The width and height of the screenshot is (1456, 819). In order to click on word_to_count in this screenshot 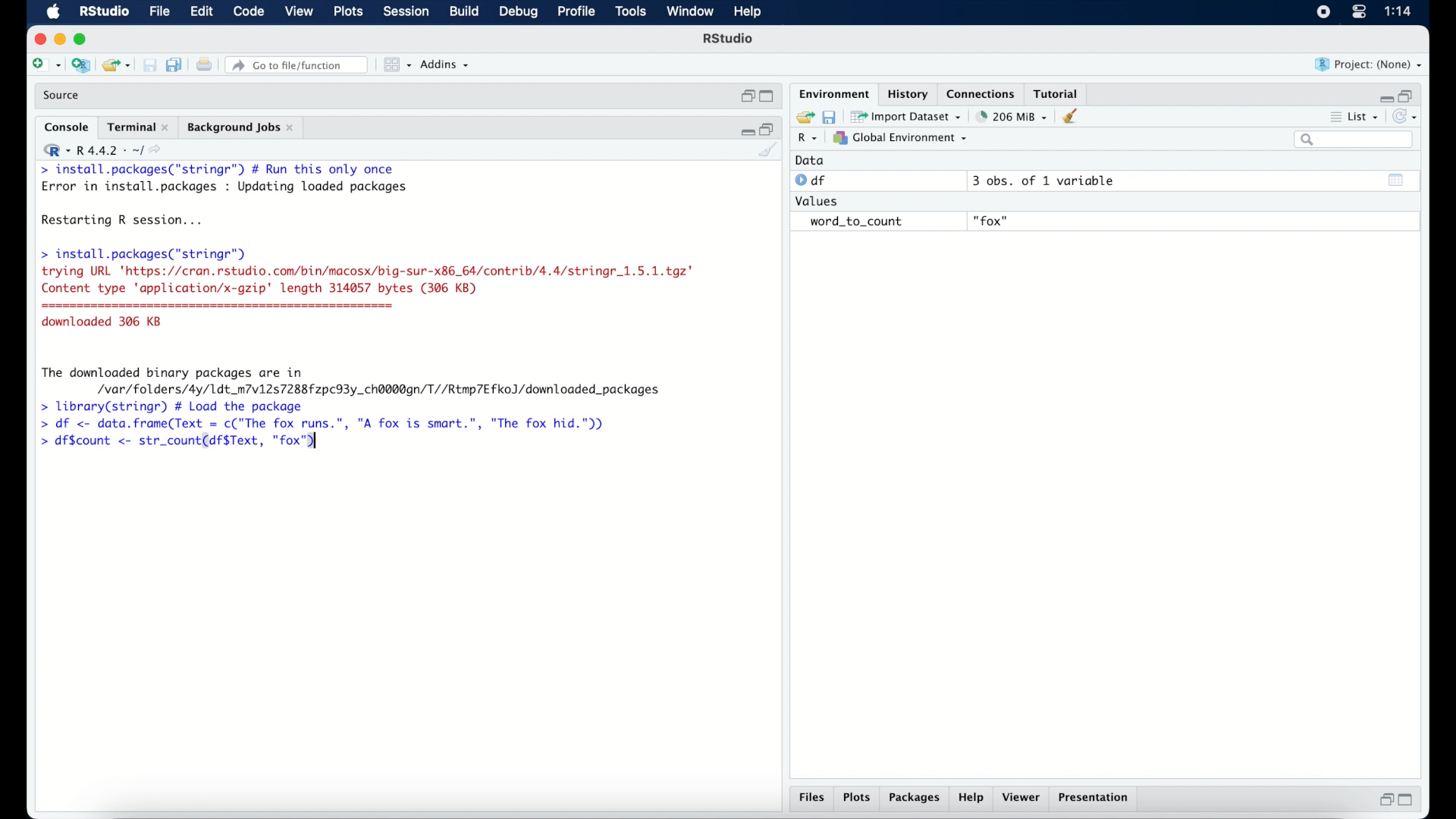, I will do `click(854, 222)`.